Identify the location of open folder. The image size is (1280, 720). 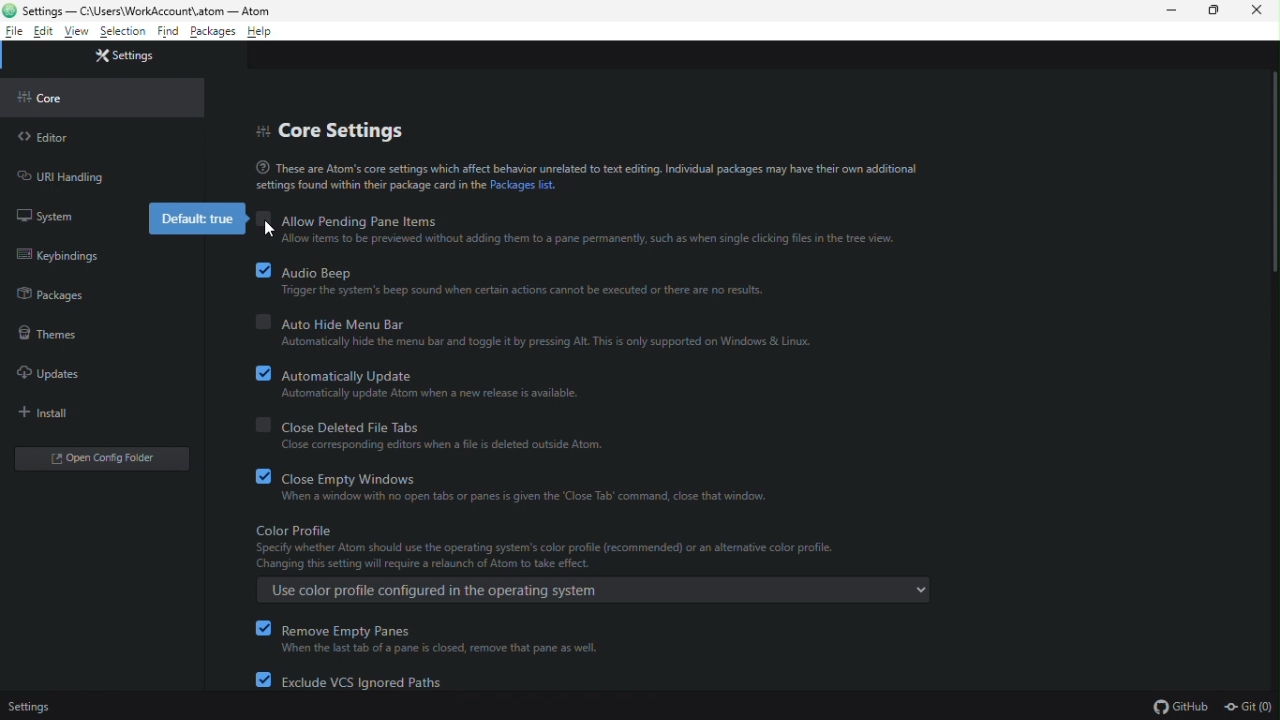
(104, 461).